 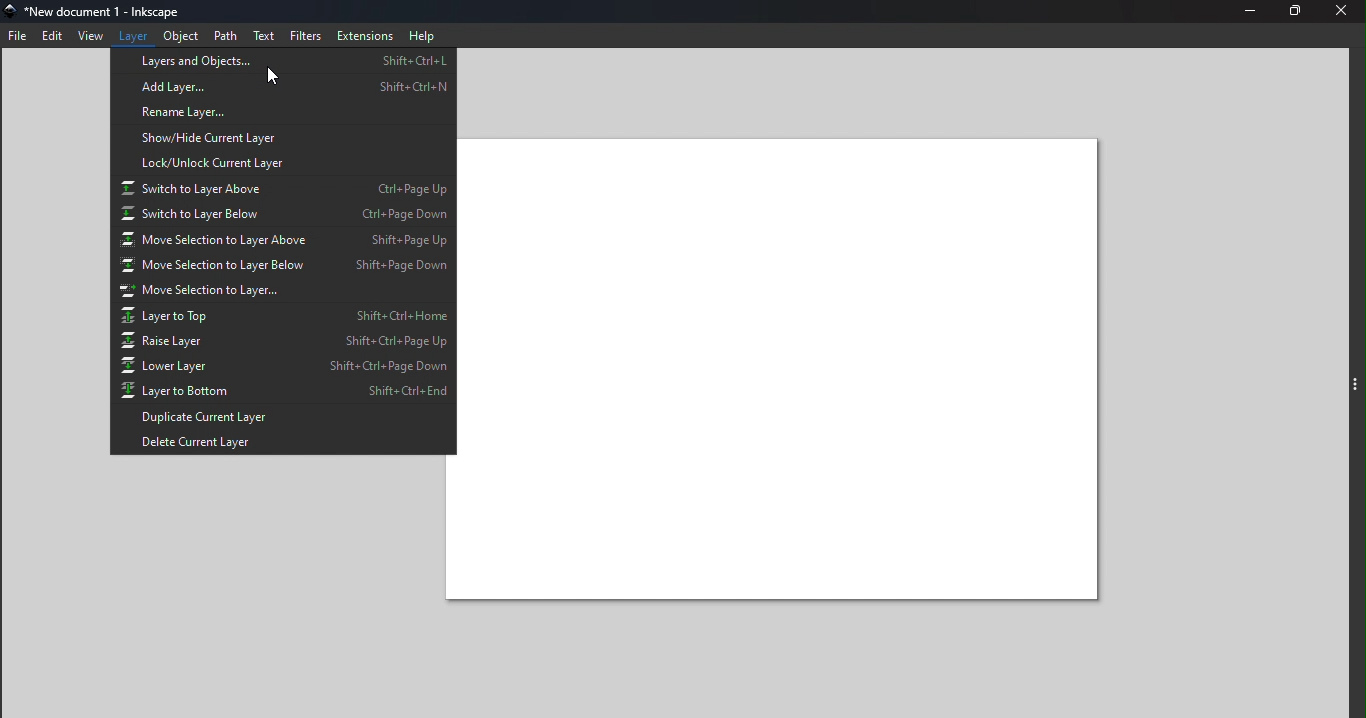 I want to click on Switch to layer above, so click(x=281, y=188).